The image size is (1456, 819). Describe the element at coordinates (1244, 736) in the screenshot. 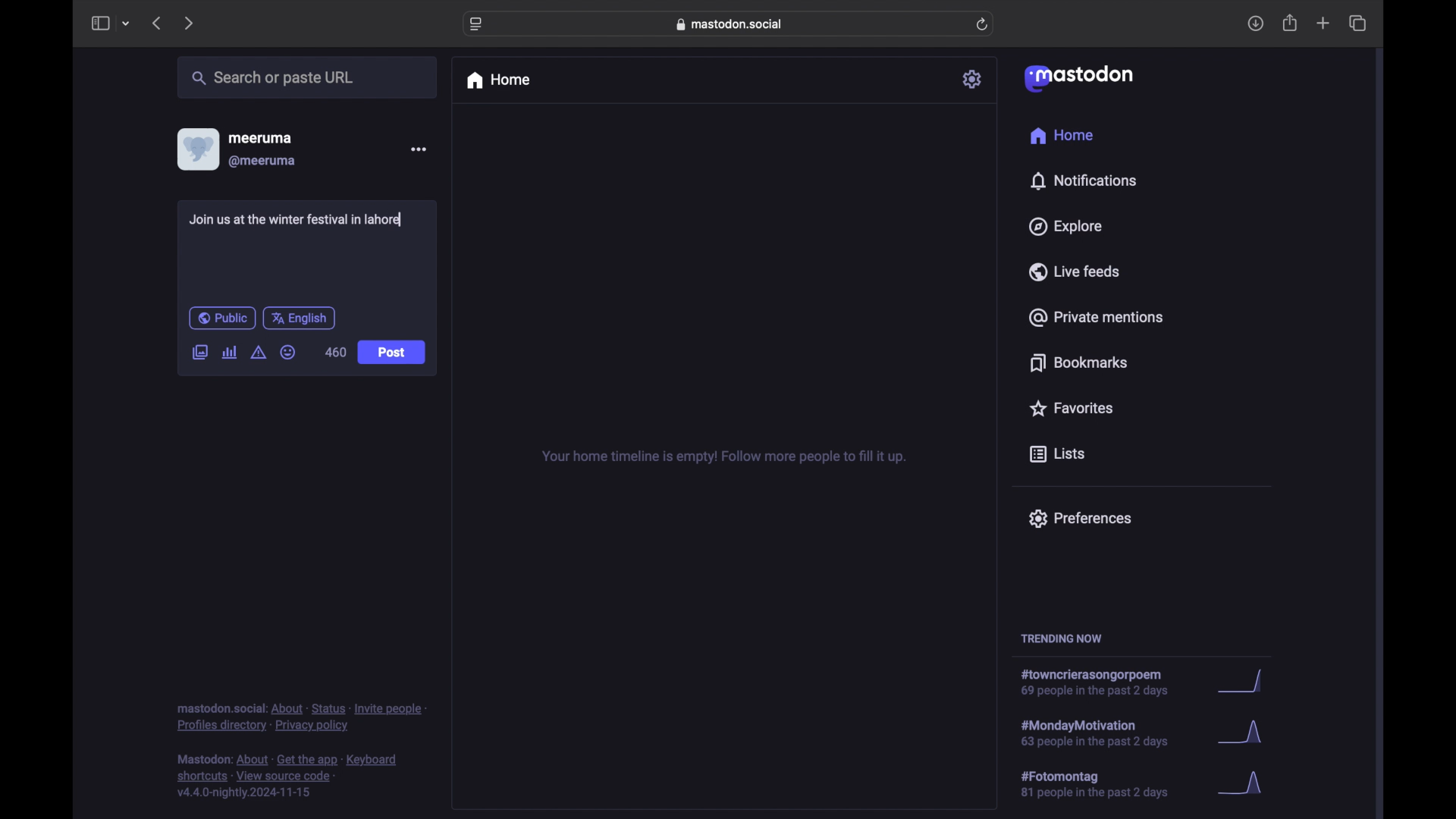

I see `graph` at that location.